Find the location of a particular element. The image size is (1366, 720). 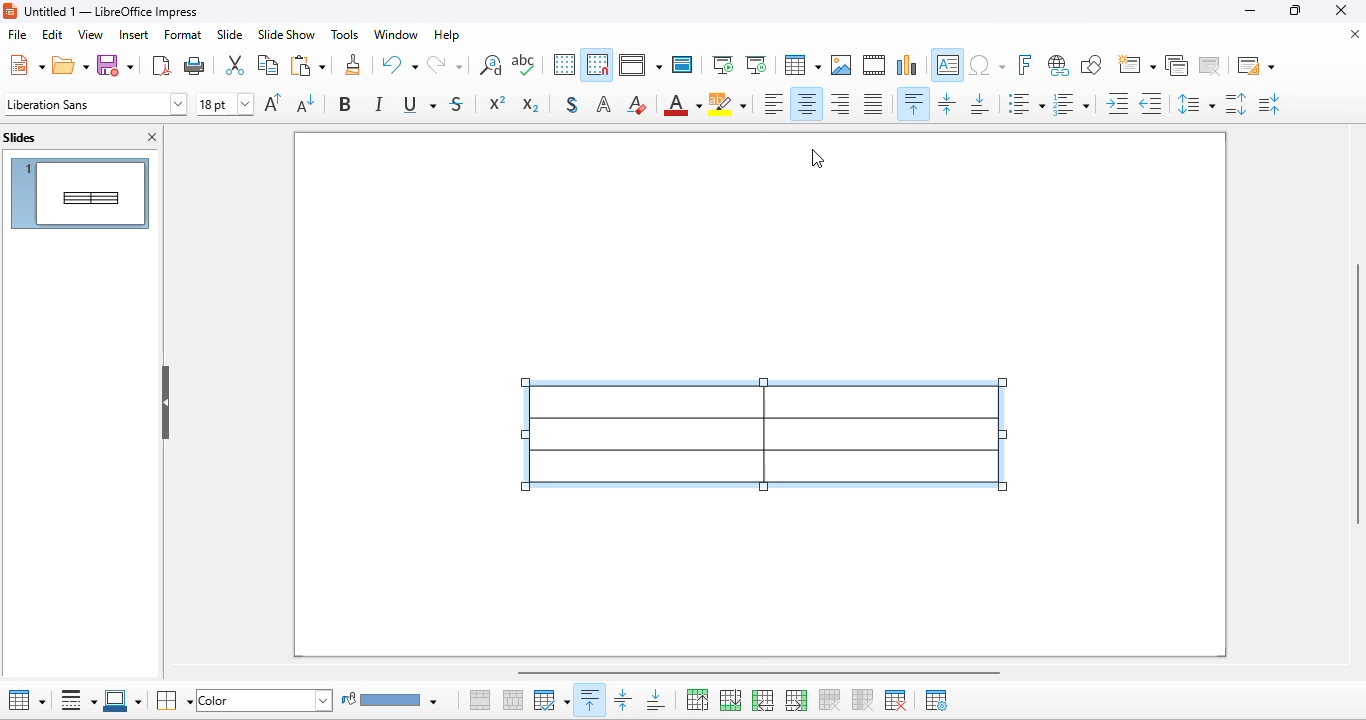

delete selected columns is located at coordinates (864, 700).